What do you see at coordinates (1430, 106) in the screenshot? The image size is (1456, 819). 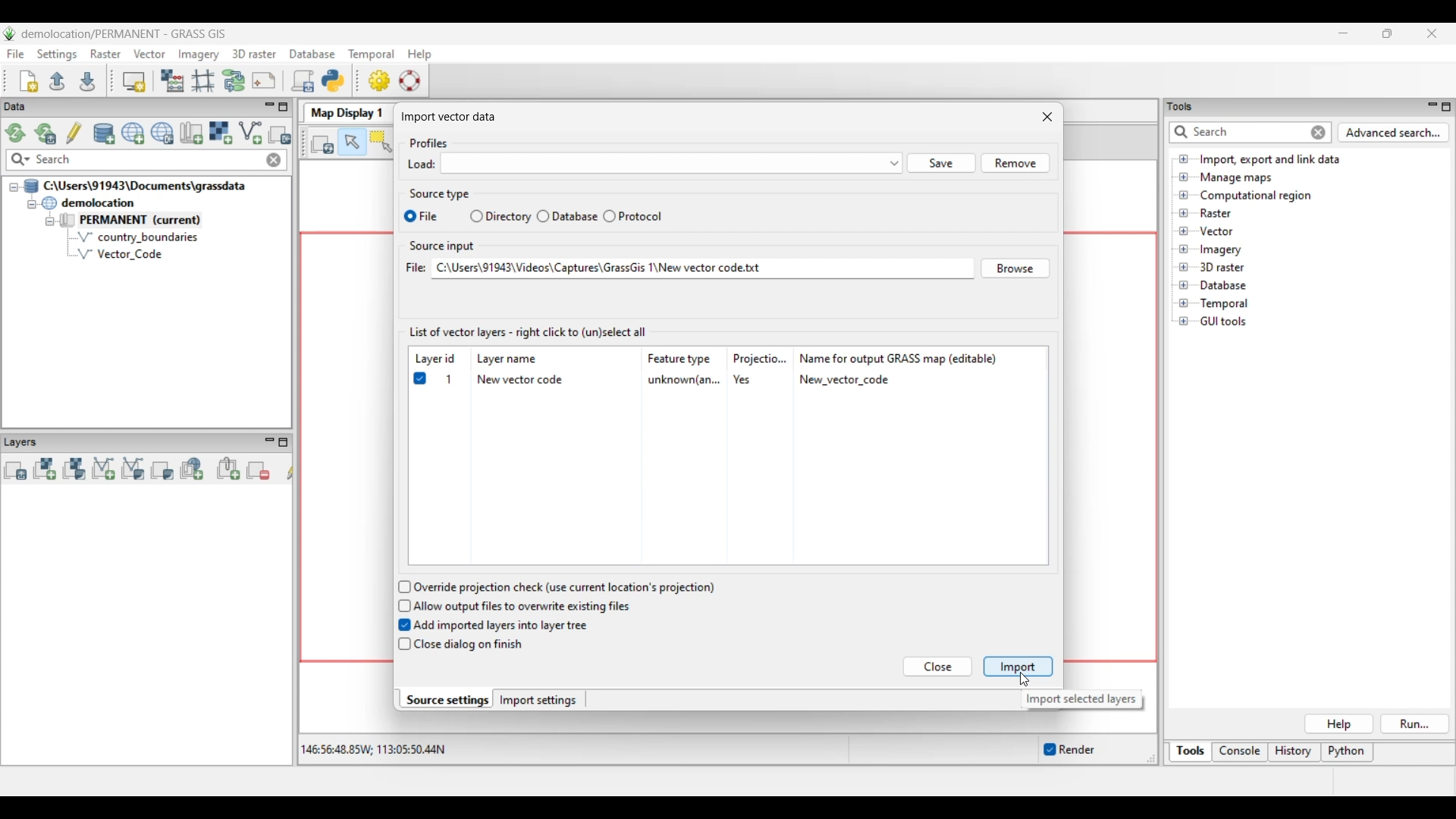 I see `Minimize Tools panel` at bounding box center [1430, 106].